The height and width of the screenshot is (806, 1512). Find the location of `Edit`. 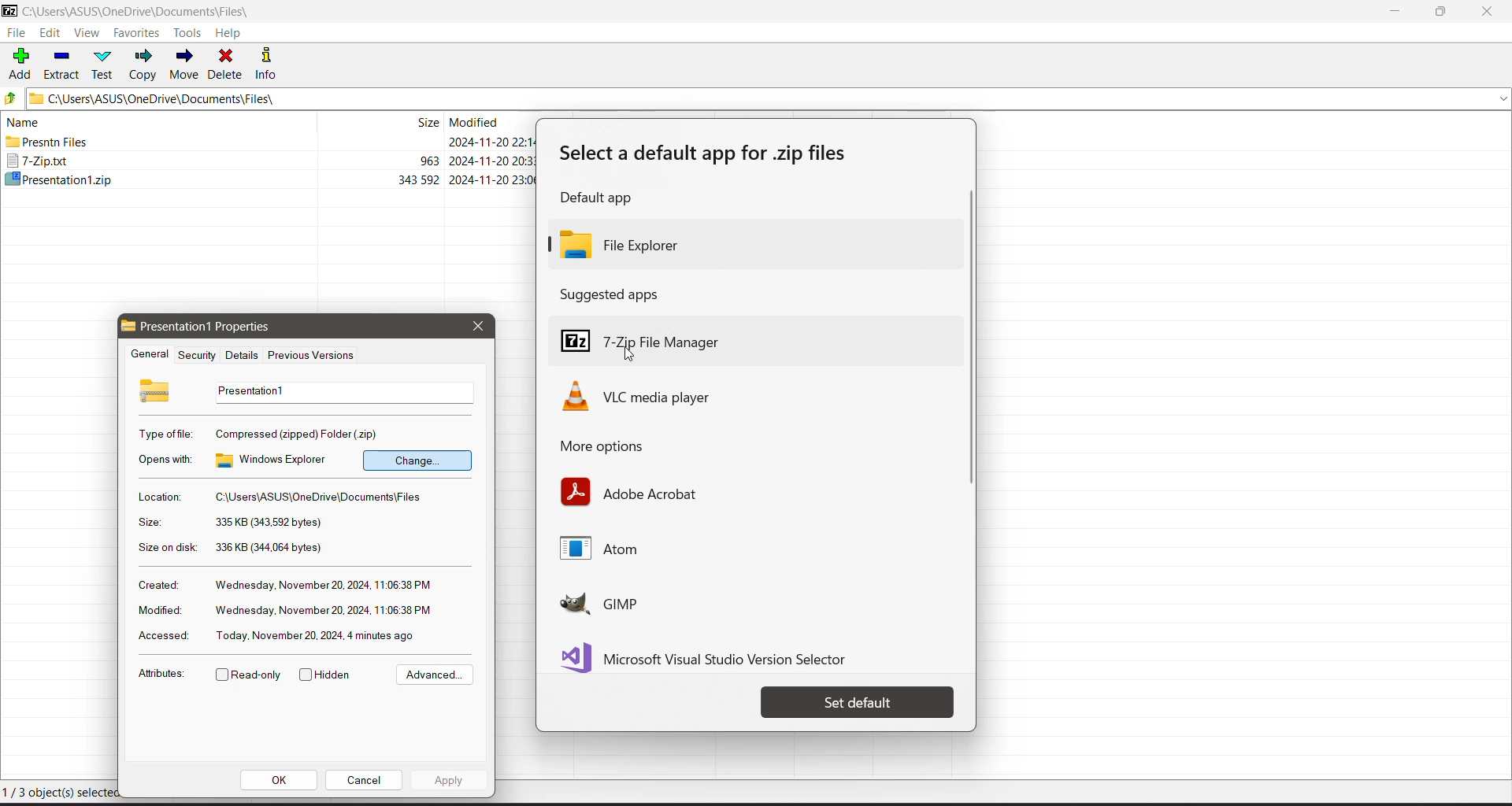

Edit is located at coordinates (52, 34).